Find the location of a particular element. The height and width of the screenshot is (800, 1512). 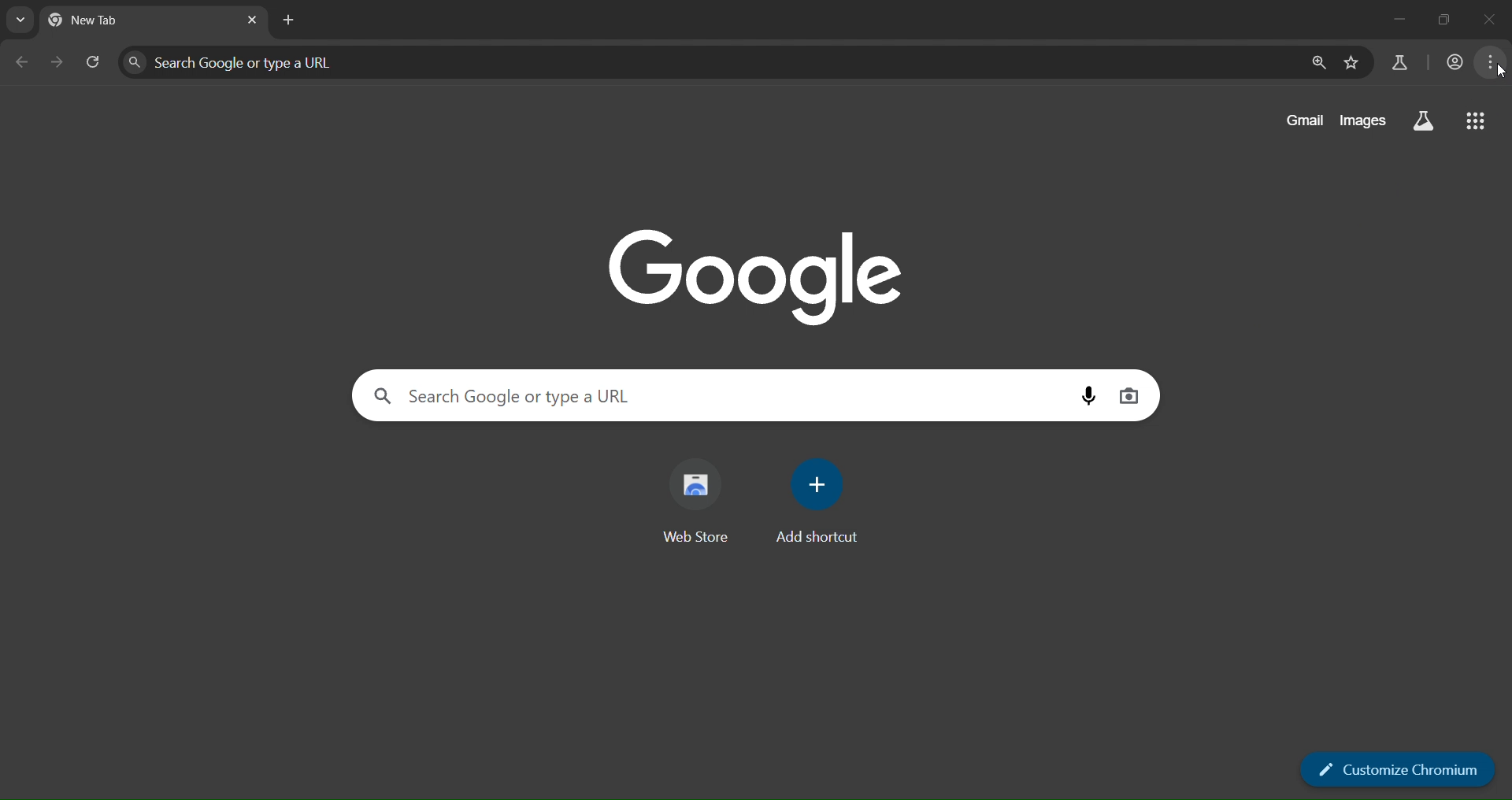

image search is located at coordinates (1132, 395).